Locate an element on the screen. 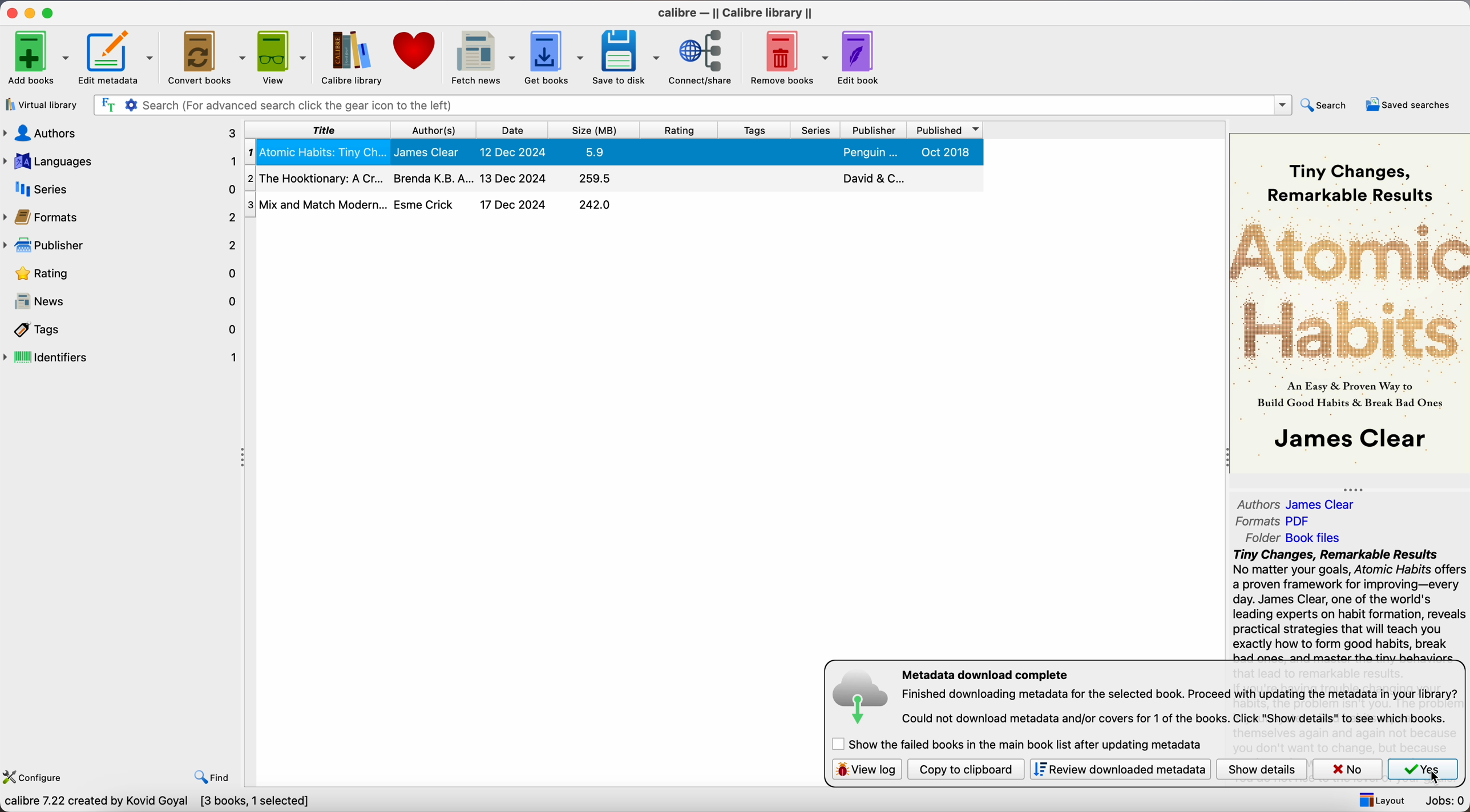 The image size is (1470, 812). search bar is located at coordinates (691, 106).